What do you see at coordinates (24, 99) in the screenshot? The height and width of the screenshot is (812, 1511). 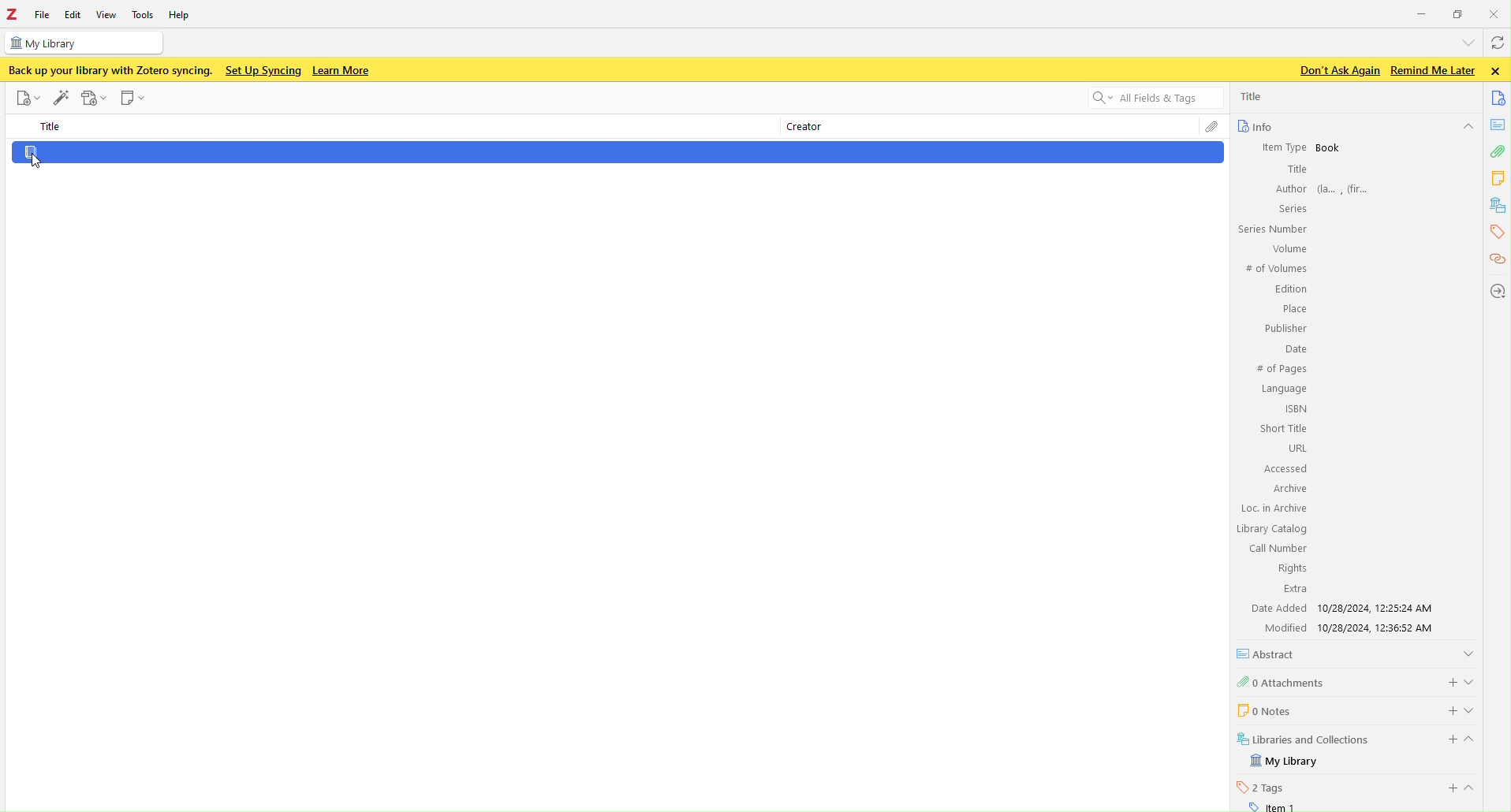 I see `new item` at bounding box center [24, 99].